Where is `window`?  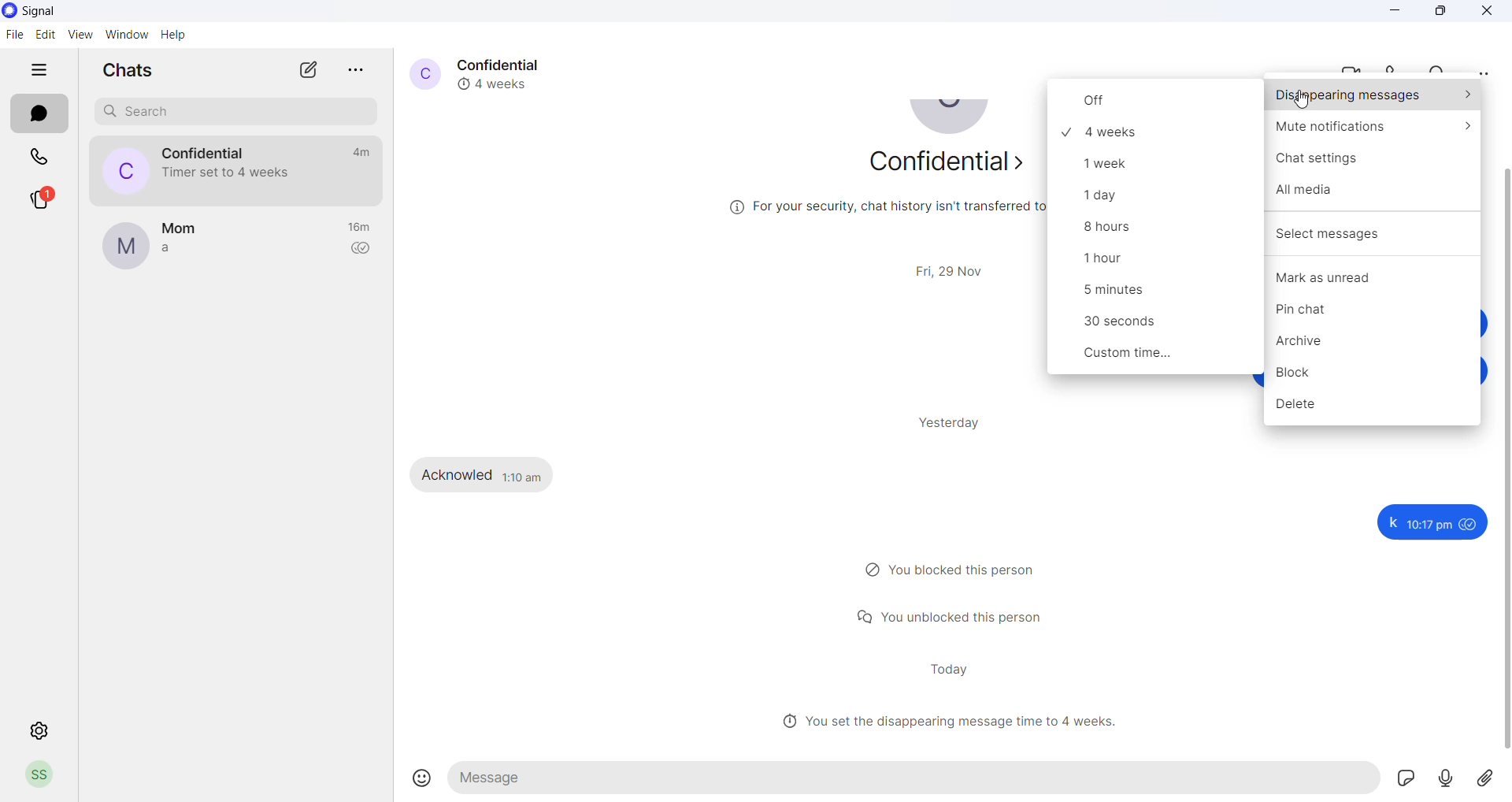
window is located at coordinates (129, 35).